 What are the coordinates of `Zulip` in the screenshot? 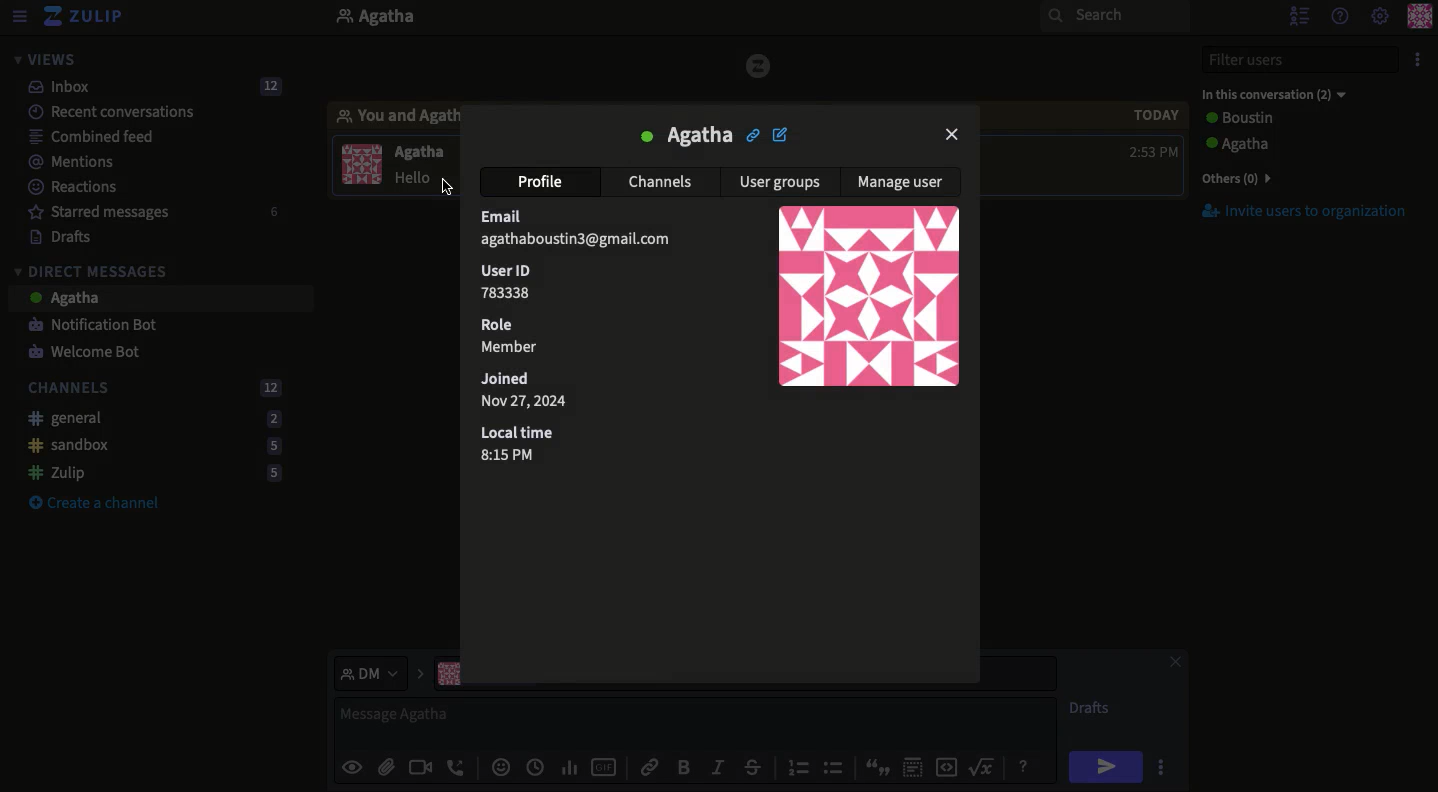 It's located at (155, 474).